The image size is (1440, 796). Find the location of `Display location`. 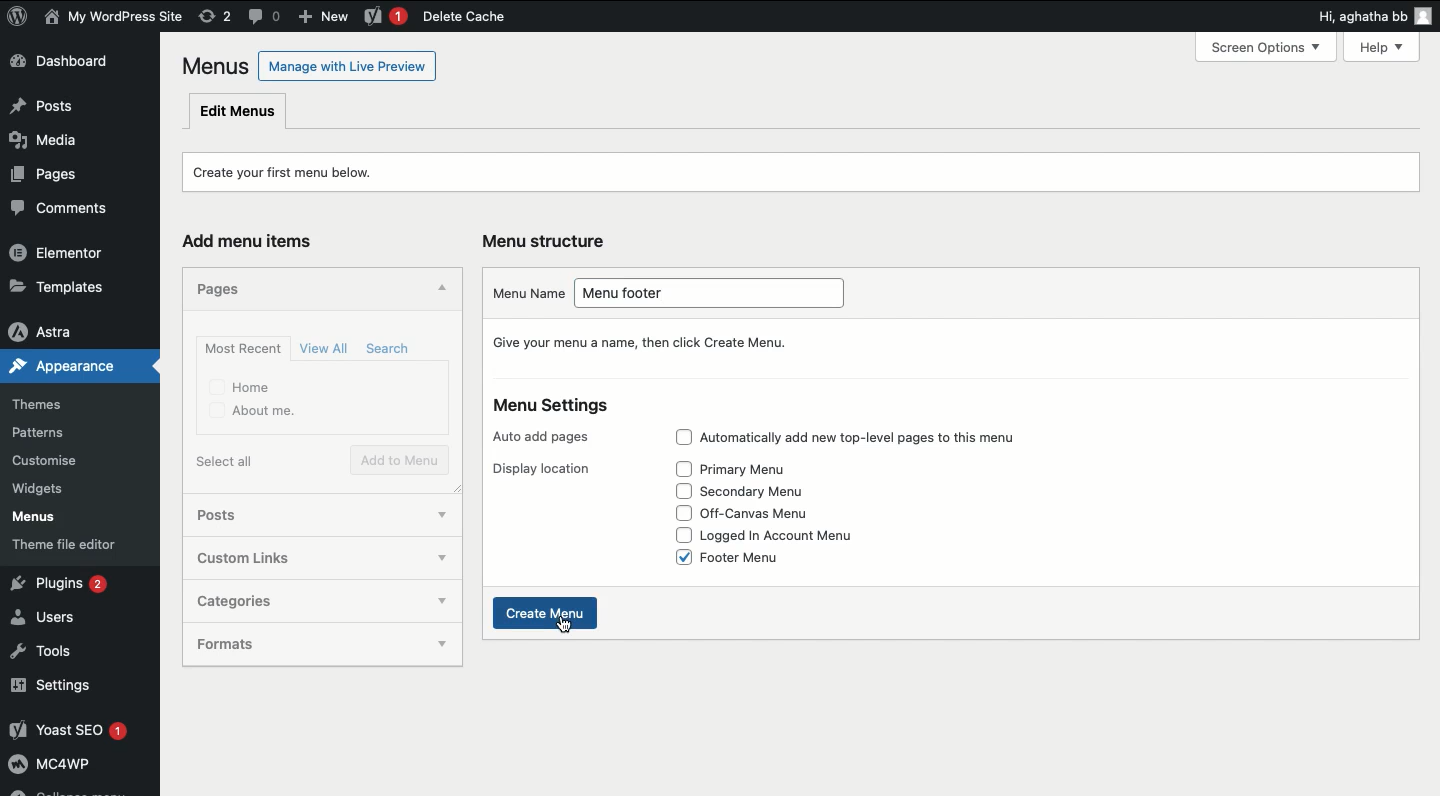

Display location is located at coordinates (542, 469).